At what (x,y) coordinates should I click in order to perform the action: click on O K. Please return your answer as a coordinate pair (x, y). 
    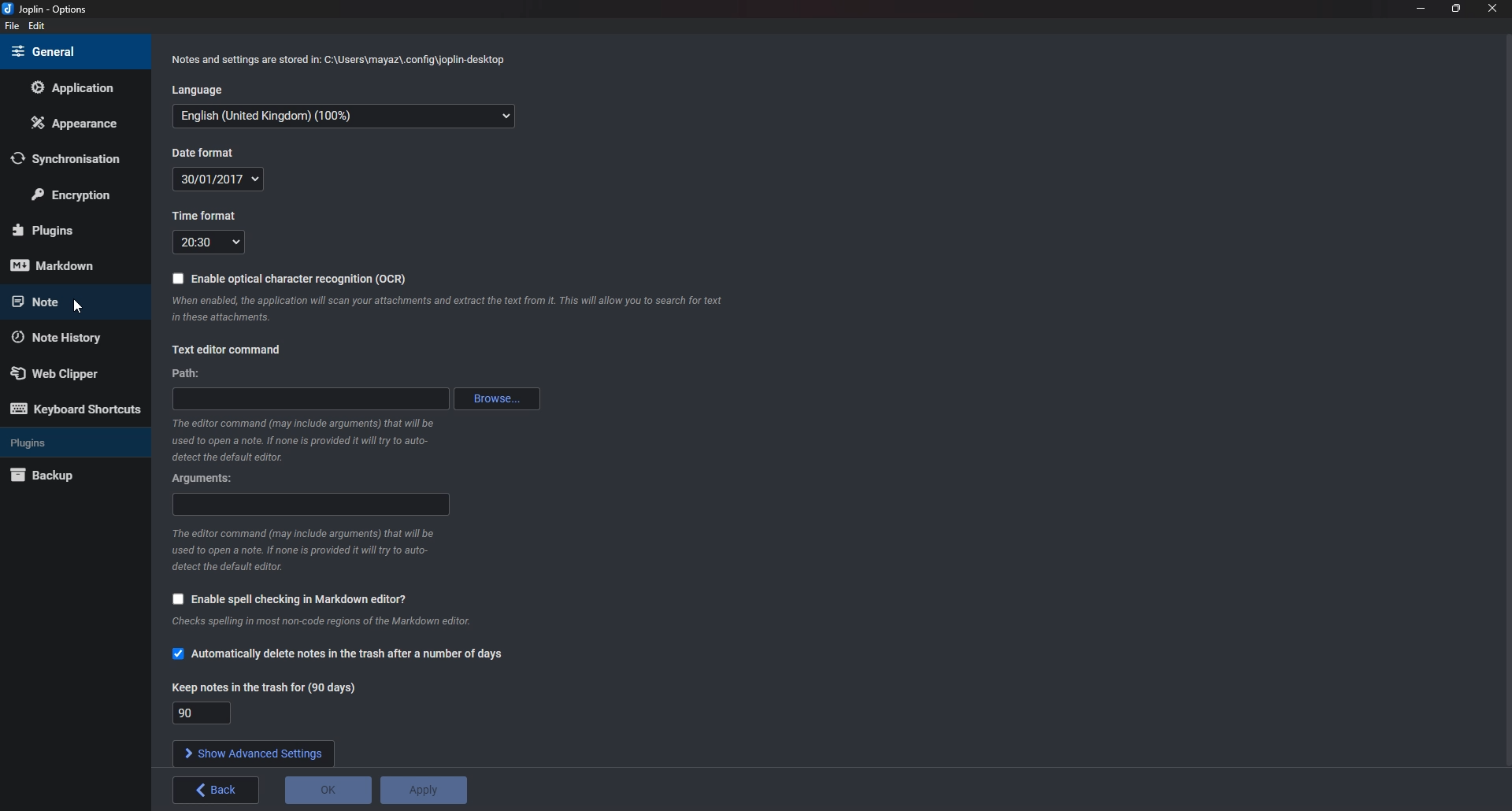
    Looking at the image, I should click on (328, 790).